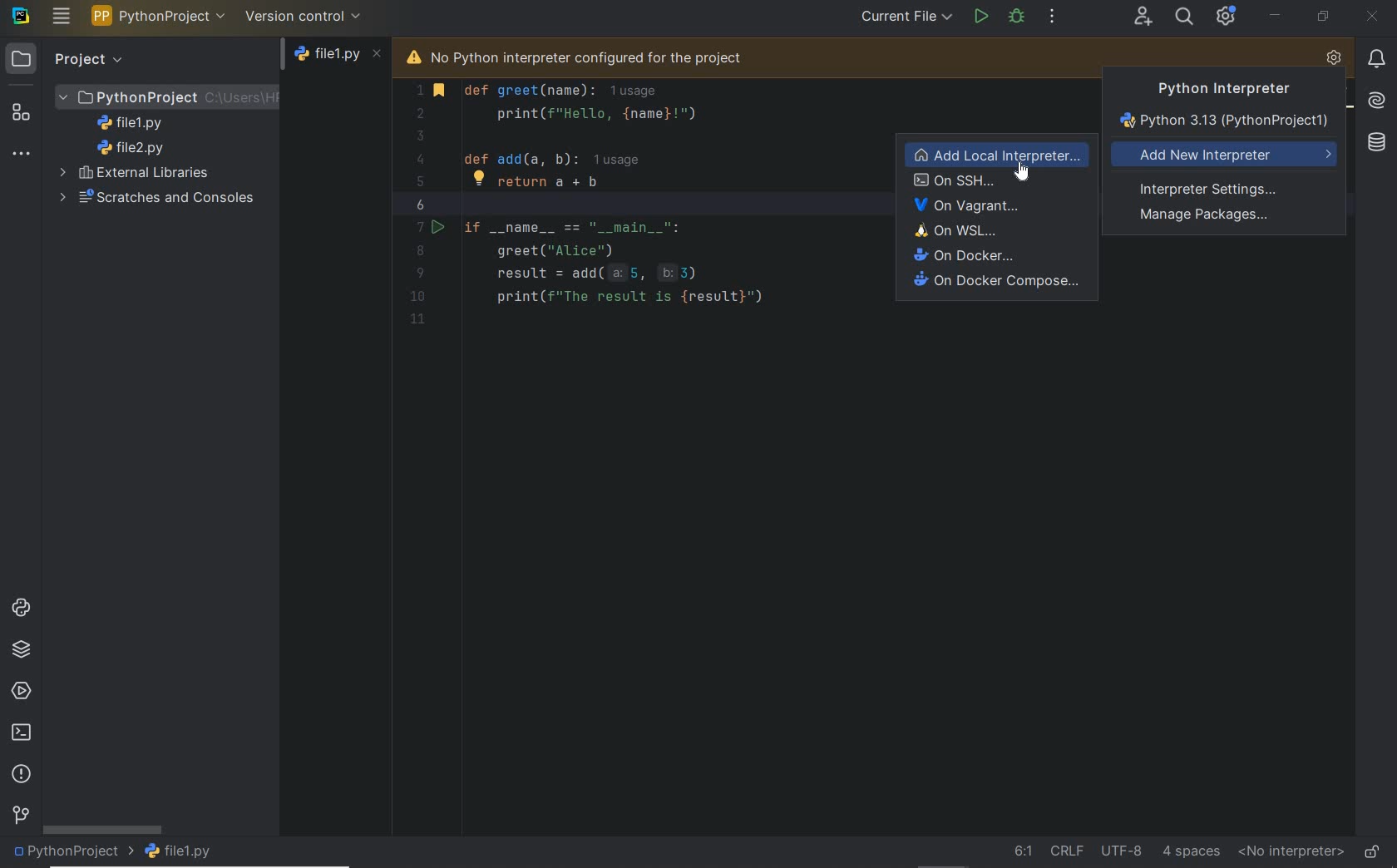  Describe the element at coordinates (304, 16) in the screenshot. I see `version control` at that location.